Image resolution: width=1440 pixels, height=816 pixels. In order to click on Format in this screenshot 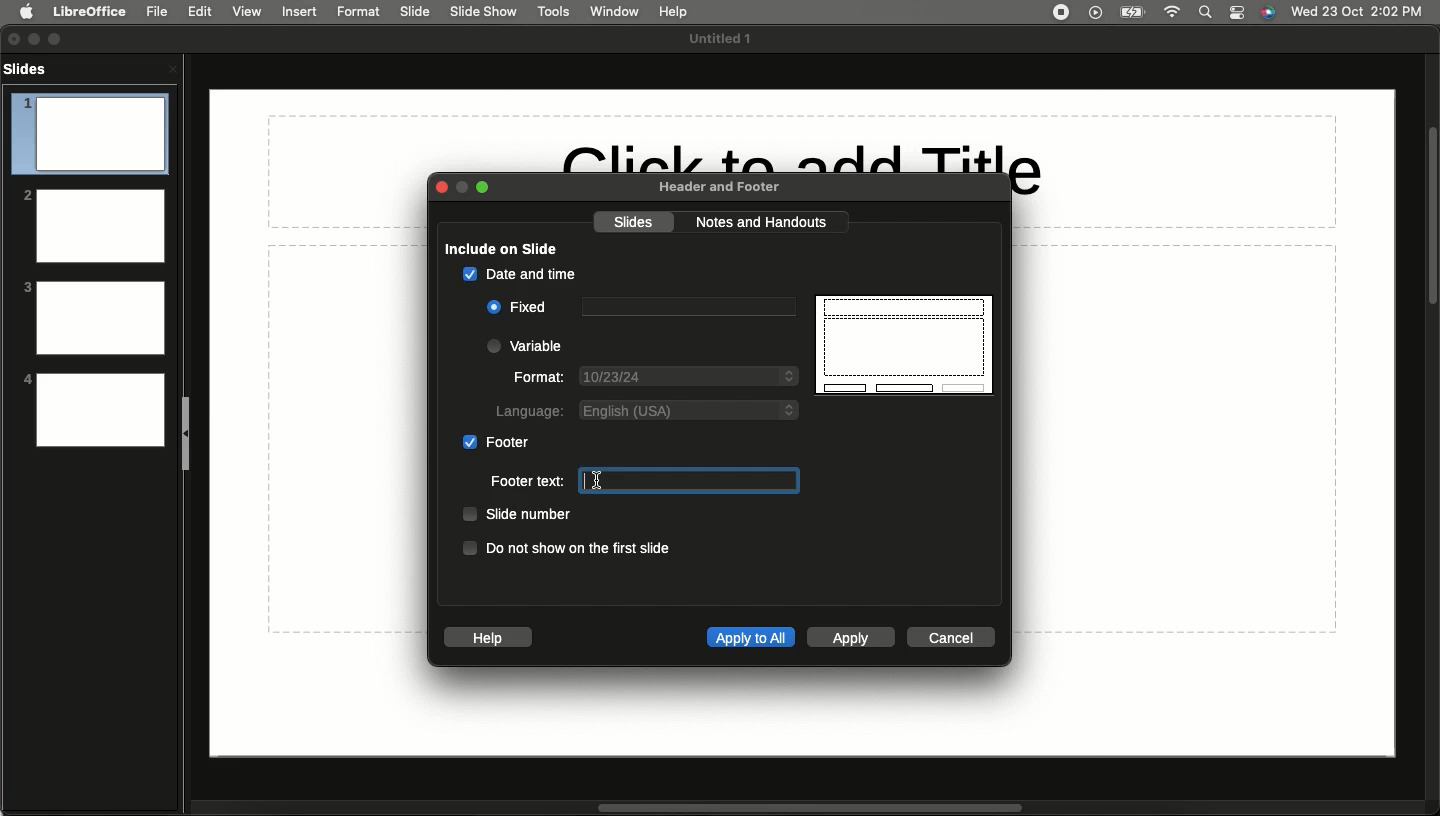, I will do `click(539, 375)`.